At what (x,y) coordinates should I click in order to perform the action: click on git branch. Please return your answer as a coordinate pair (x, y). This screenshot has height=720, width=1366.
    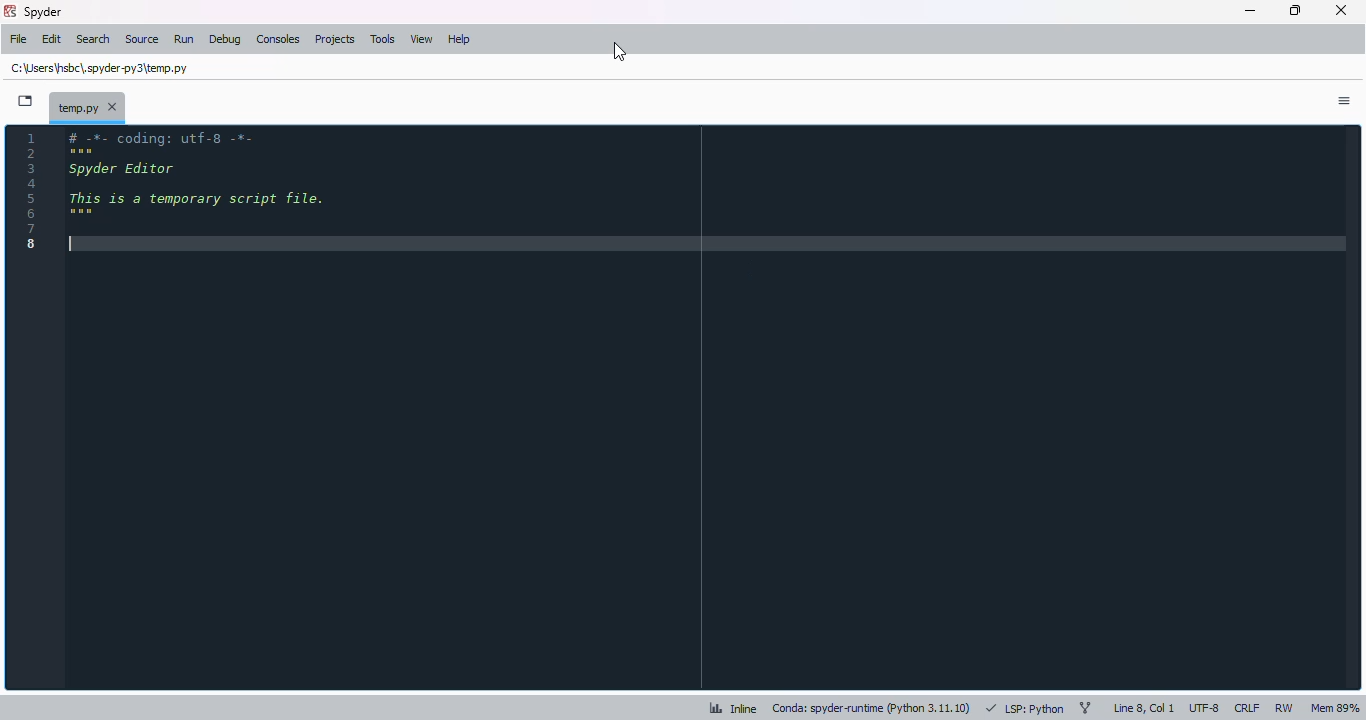
    Looking at the image, I should click on (1084, 706).